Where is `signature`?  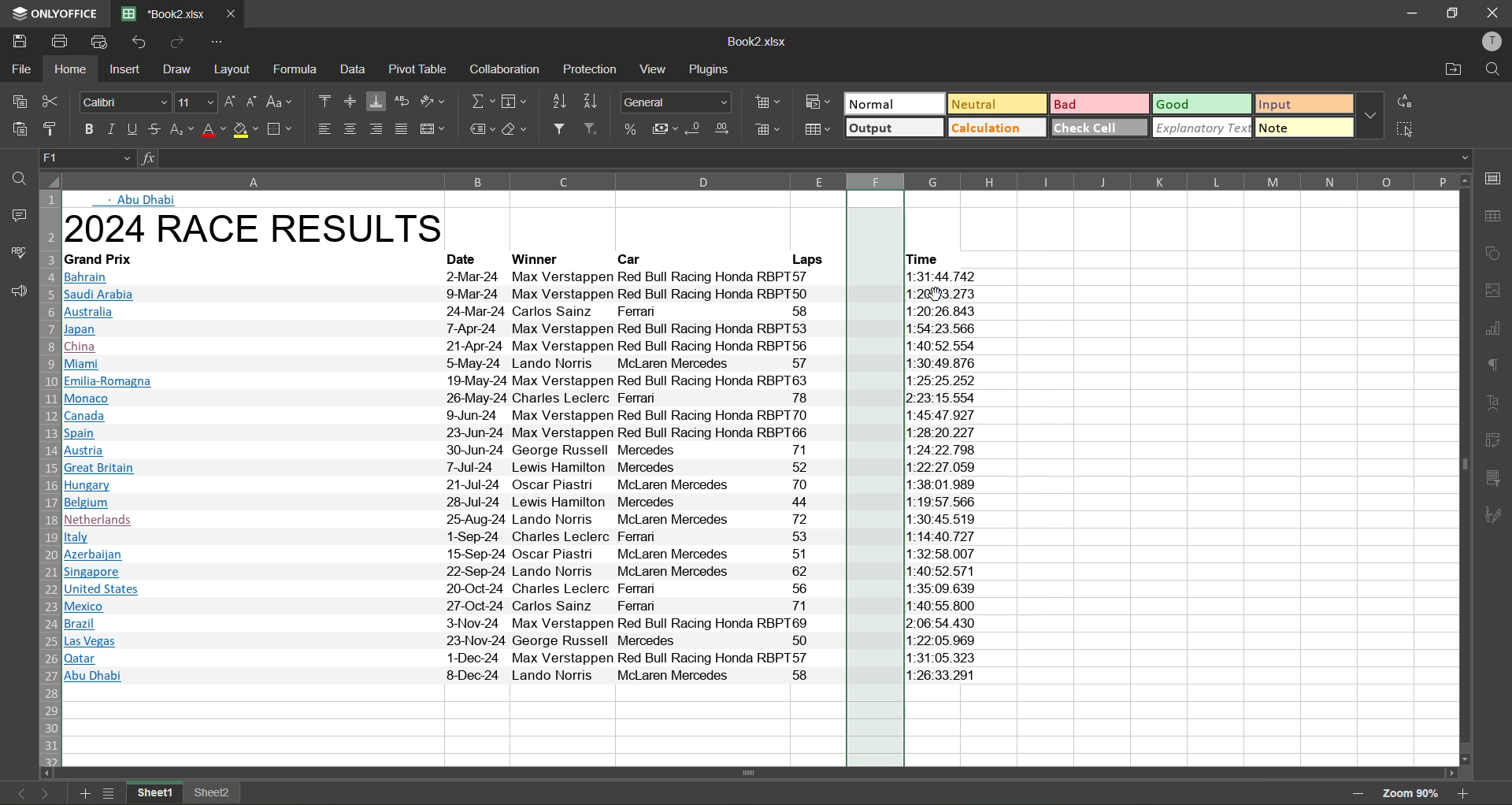
signature is located at coordinates (1497, 516).